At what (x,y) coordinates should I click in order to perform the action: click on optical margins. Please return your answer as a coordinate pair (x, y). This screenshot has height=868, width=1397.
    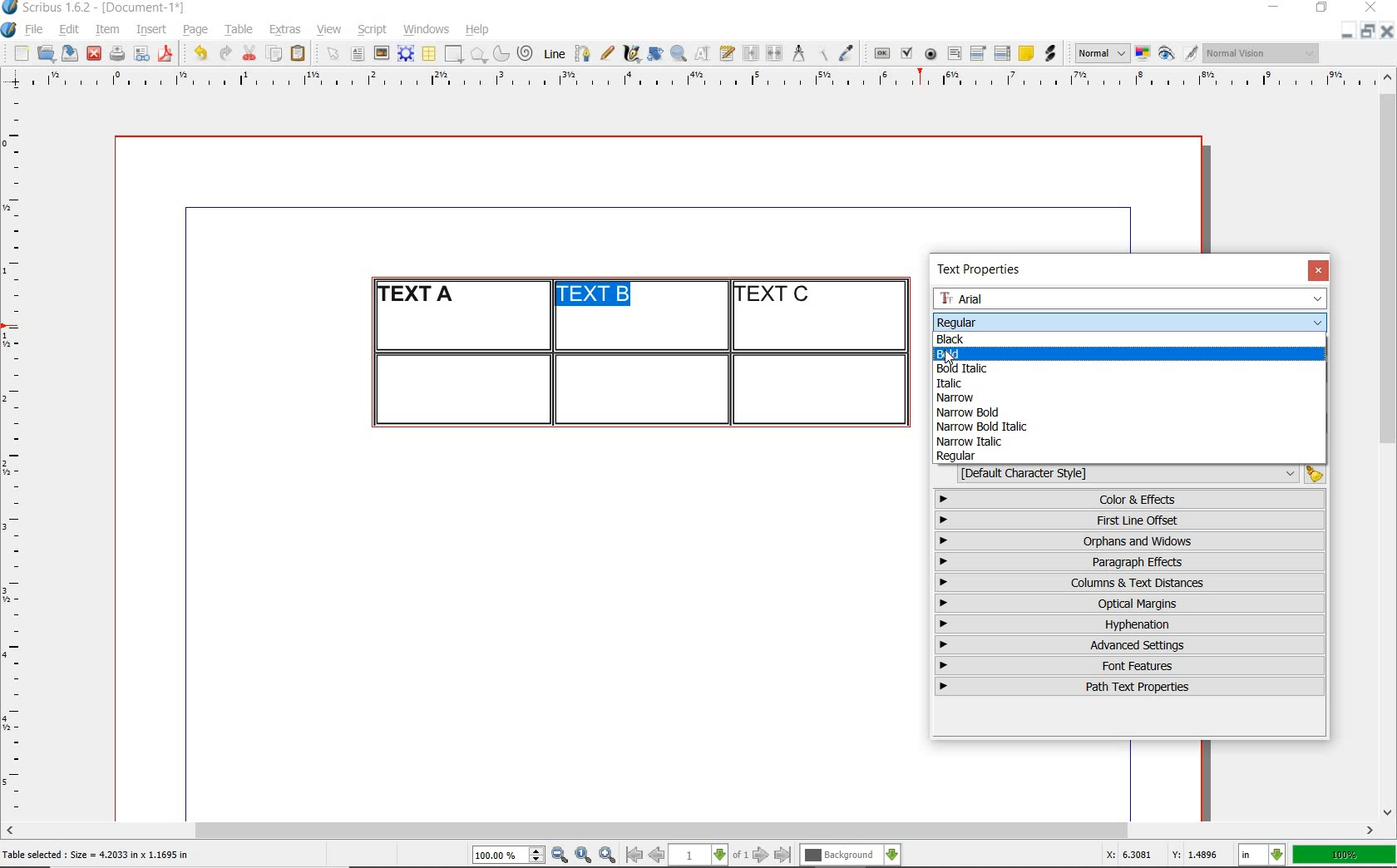
    Looking at the image, I should click on (1131, 604).